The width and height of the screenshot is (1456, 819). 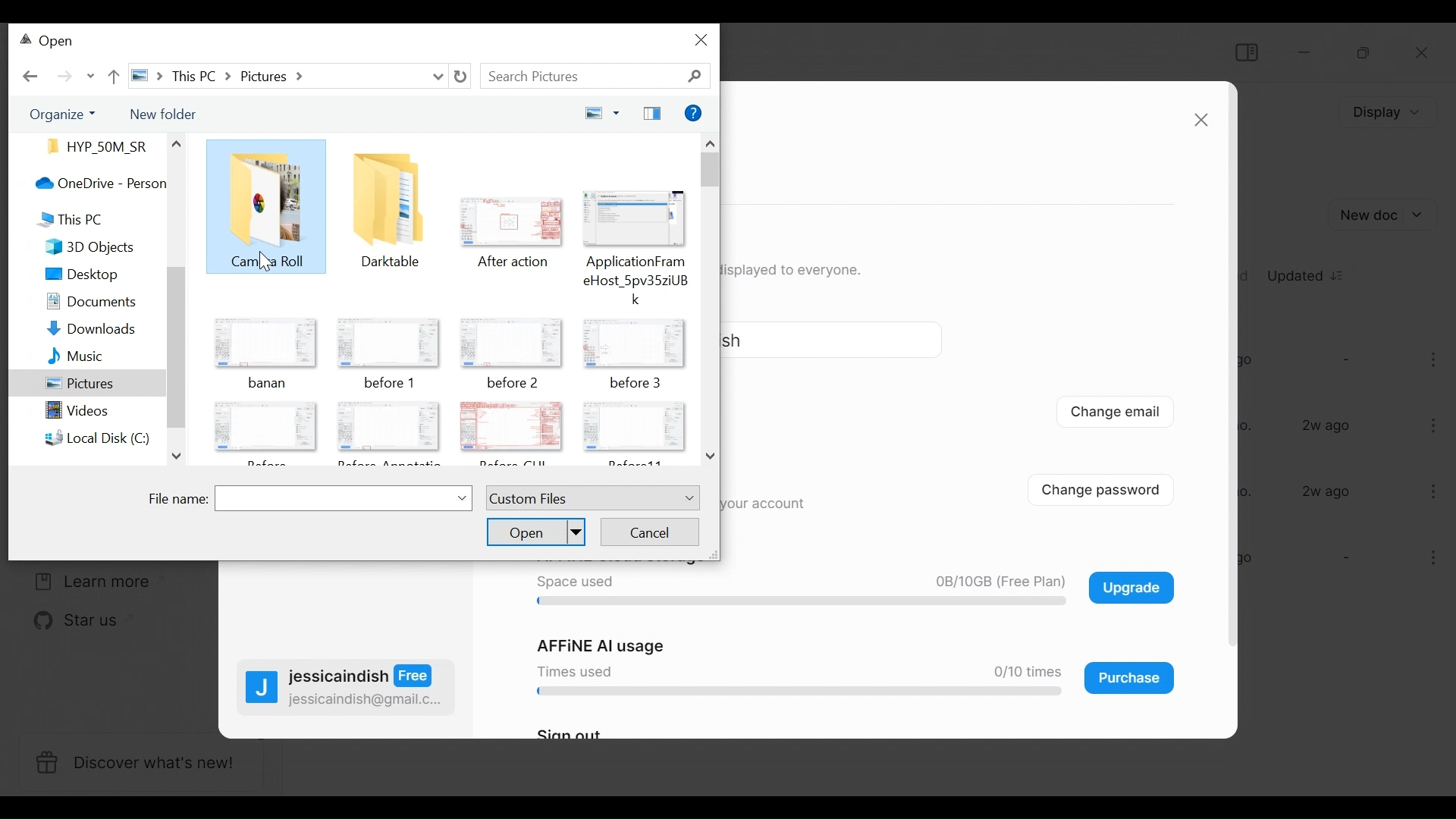 What do you see at coordinates (389, 342) in the screenshot?
I see `icon` at bounding box center [389, 342].